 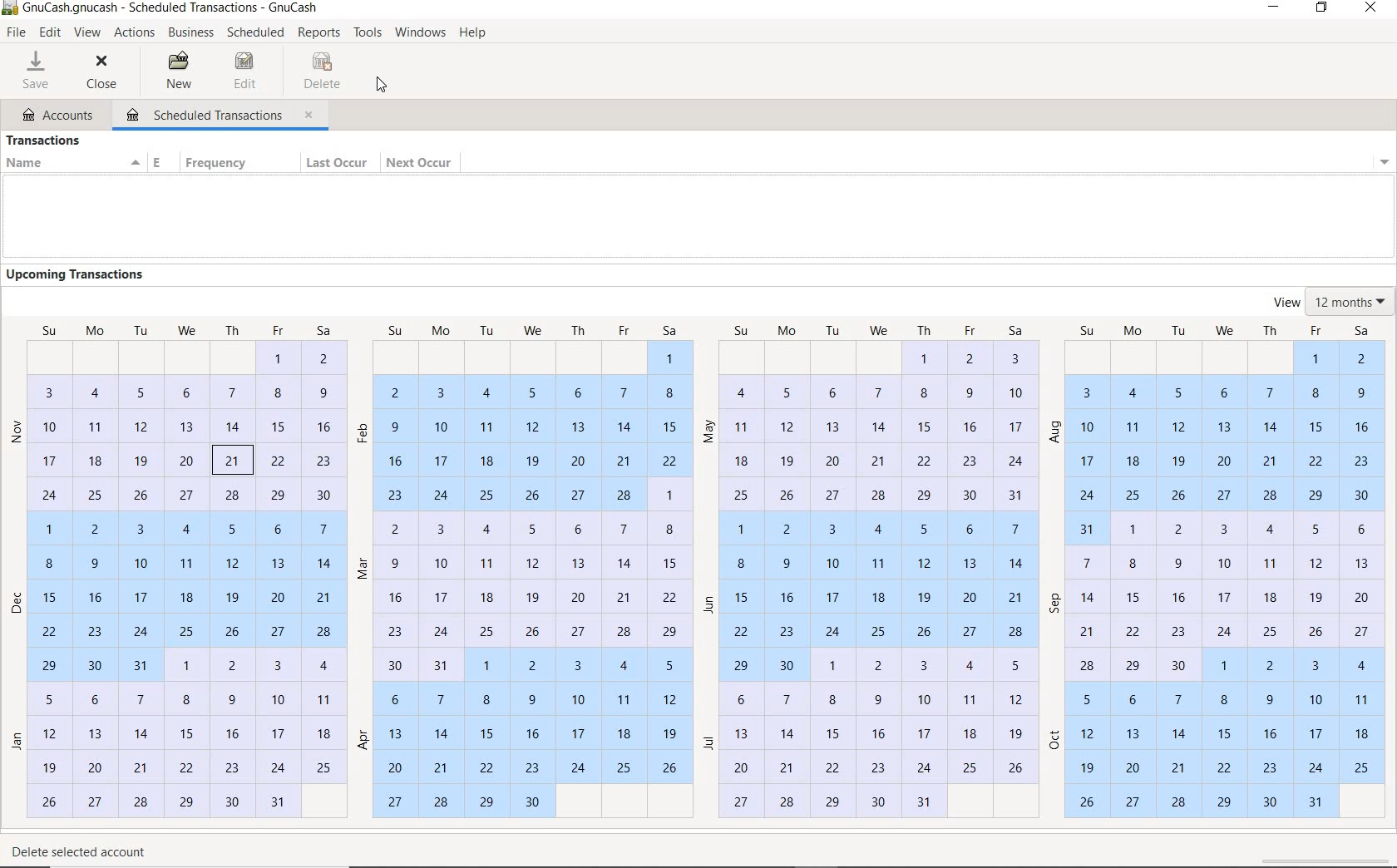 I want to click on BUSINESS, so click(x=190, y=33).